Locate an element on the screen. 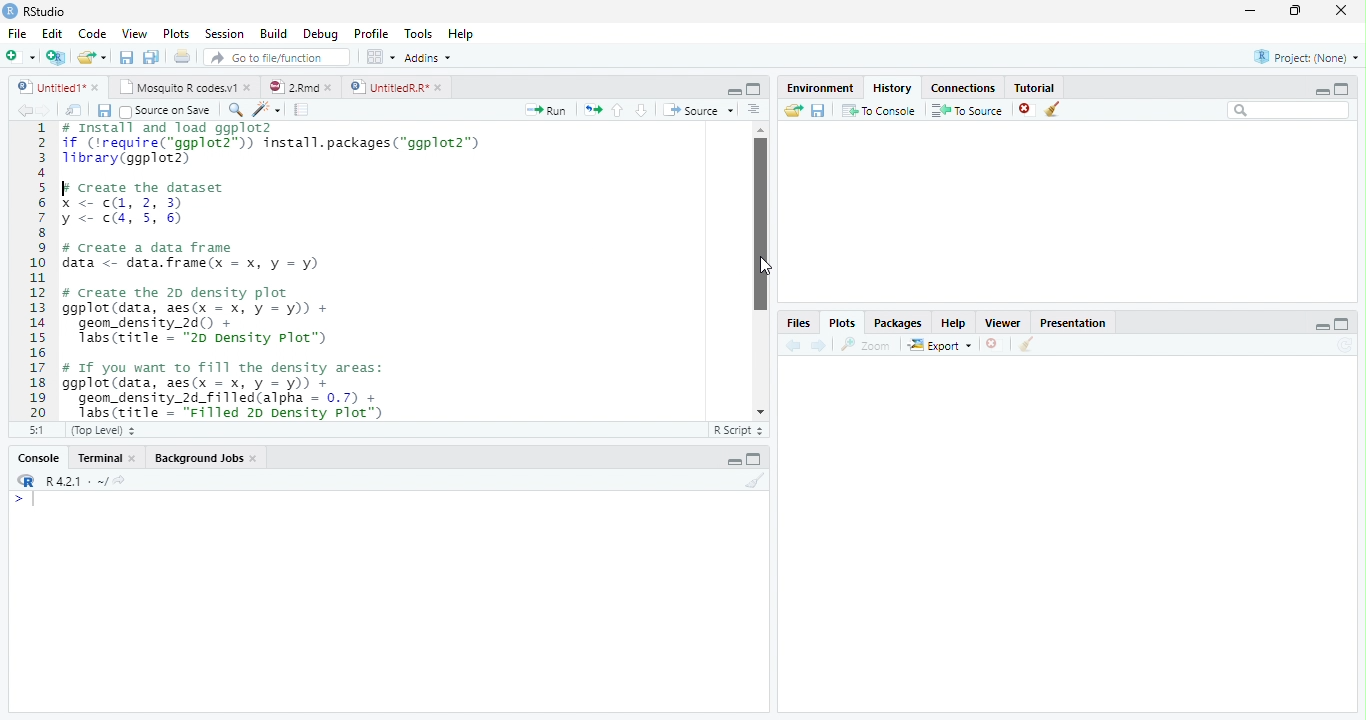 Image resolution: width=1366 pixels, height=720 pixels. Project: (None) is located at coordinates (1305, 57).